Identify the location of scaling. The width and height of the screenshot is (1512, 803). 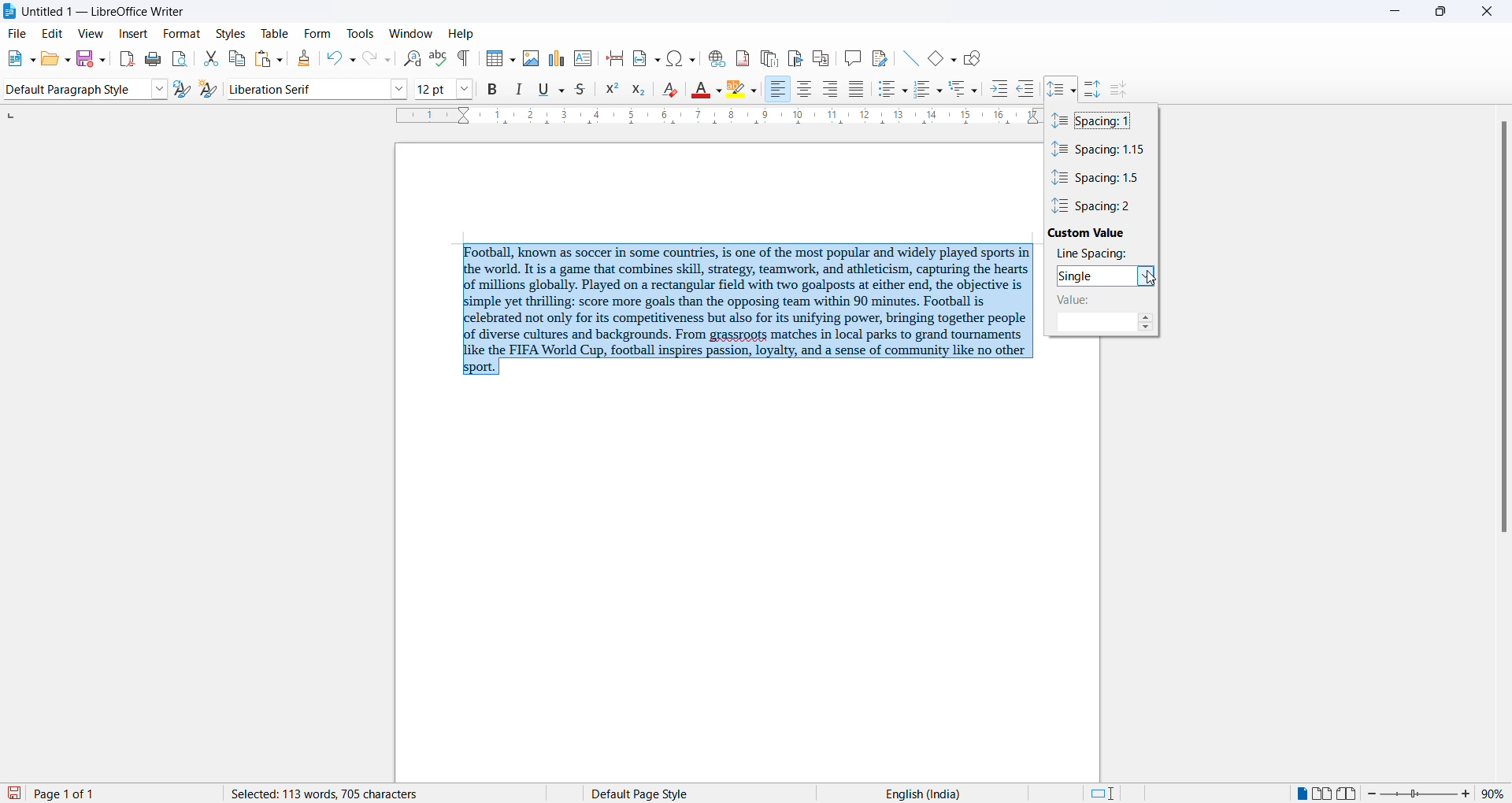
(710, 118).